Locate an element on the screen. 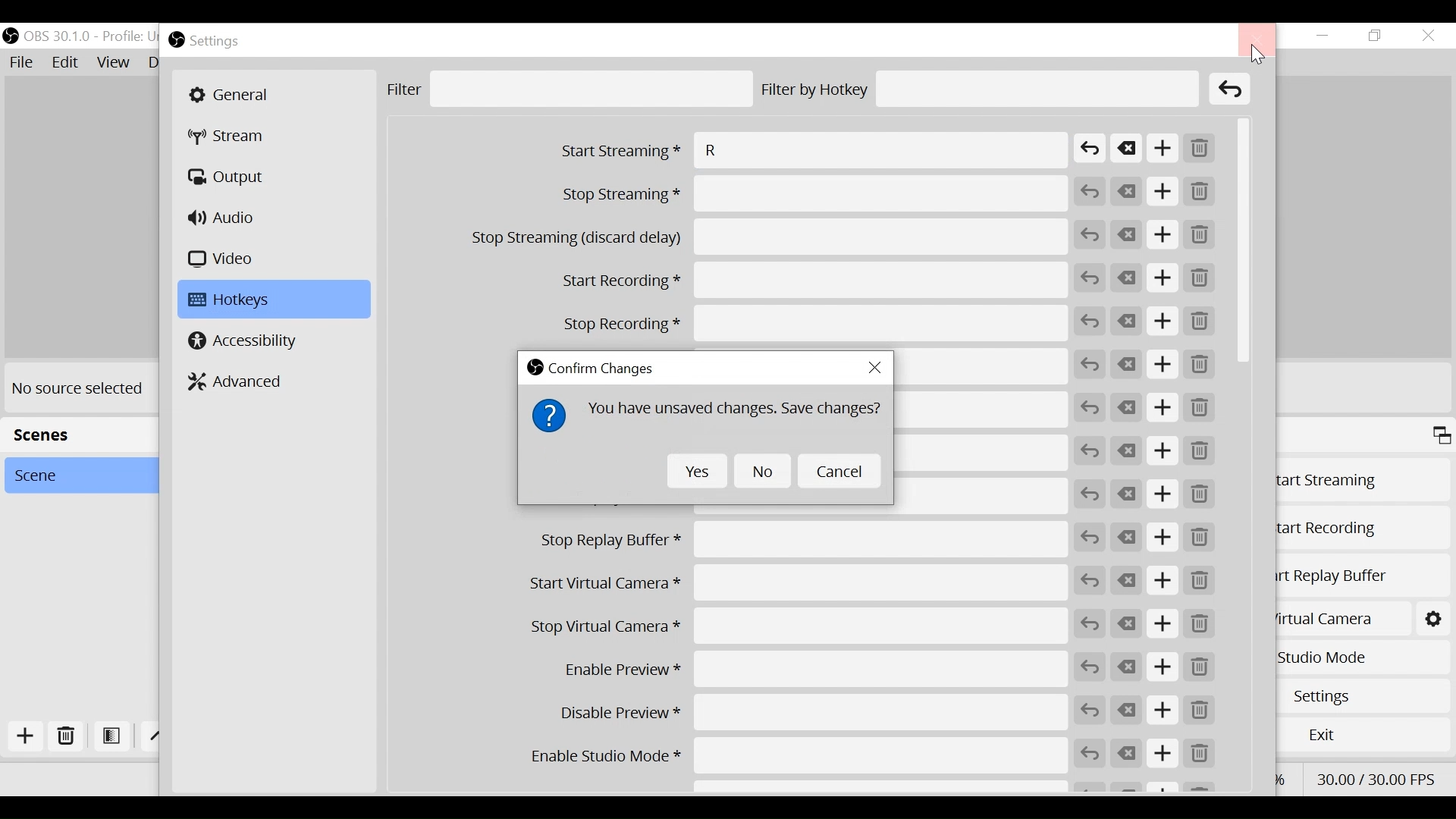 The width and height of the screenshot is (1456, 819). Vertical Scroll bar is located at coordinates (1241, 240).